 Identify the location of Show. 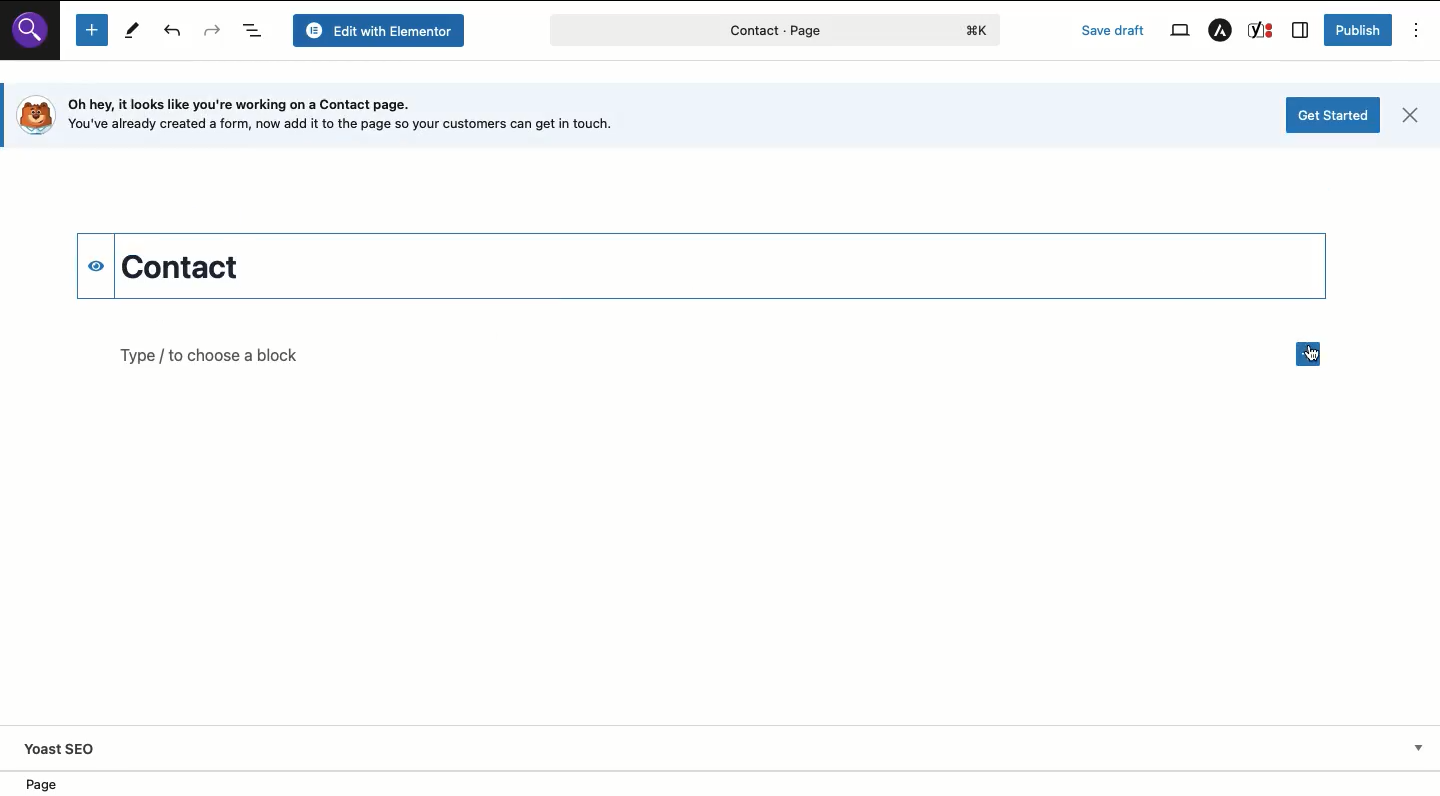
(1415, 747).